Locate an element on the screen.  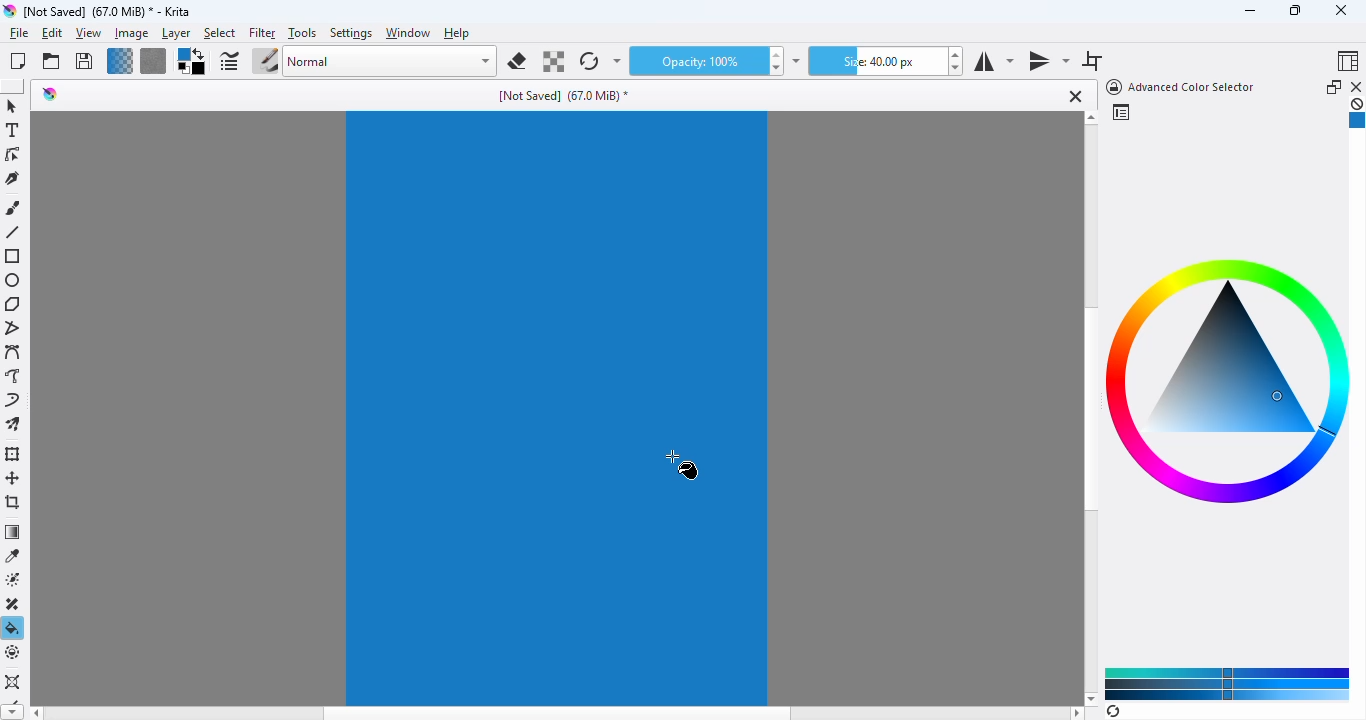
close is located at coordinates (1073, 96).